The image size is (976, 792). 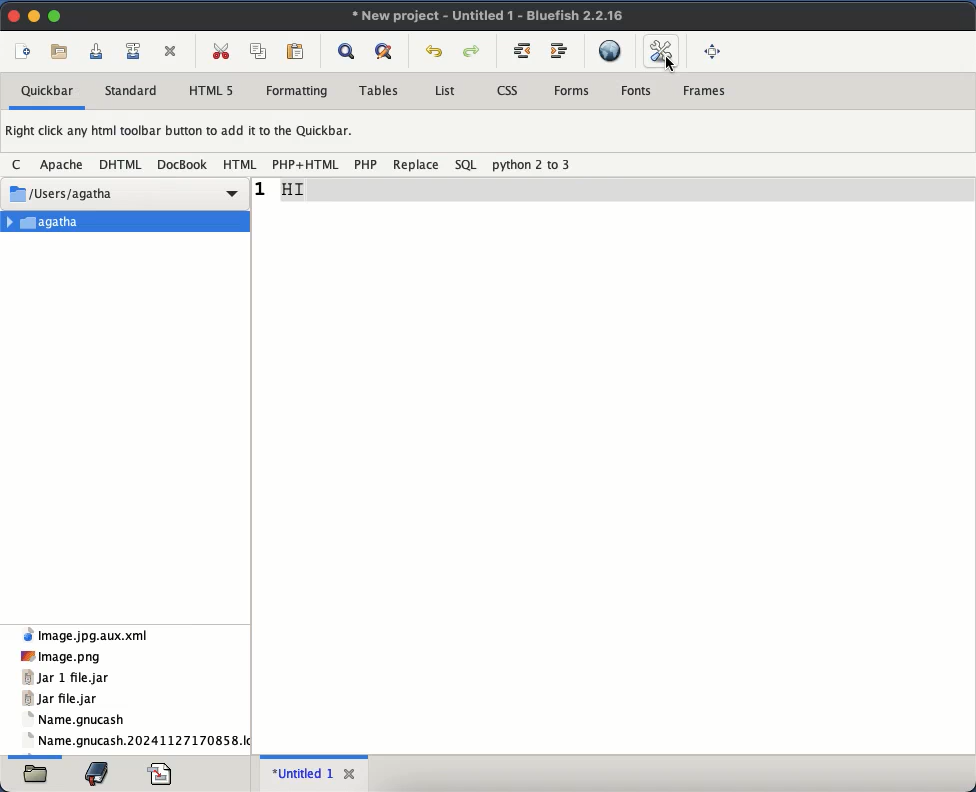 I want to click on list, so click(x=445, y=90).